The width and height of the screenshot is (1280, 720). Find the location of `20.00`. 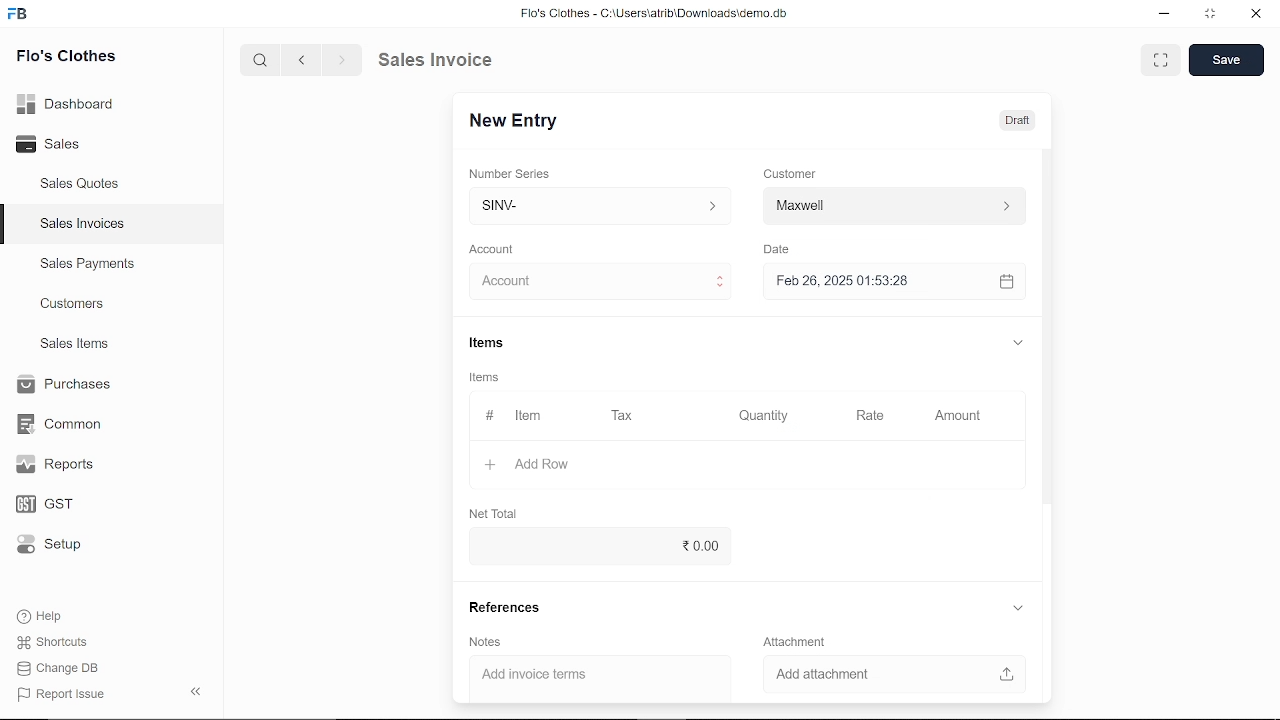

20.00 is located at coordinates (595, 545).